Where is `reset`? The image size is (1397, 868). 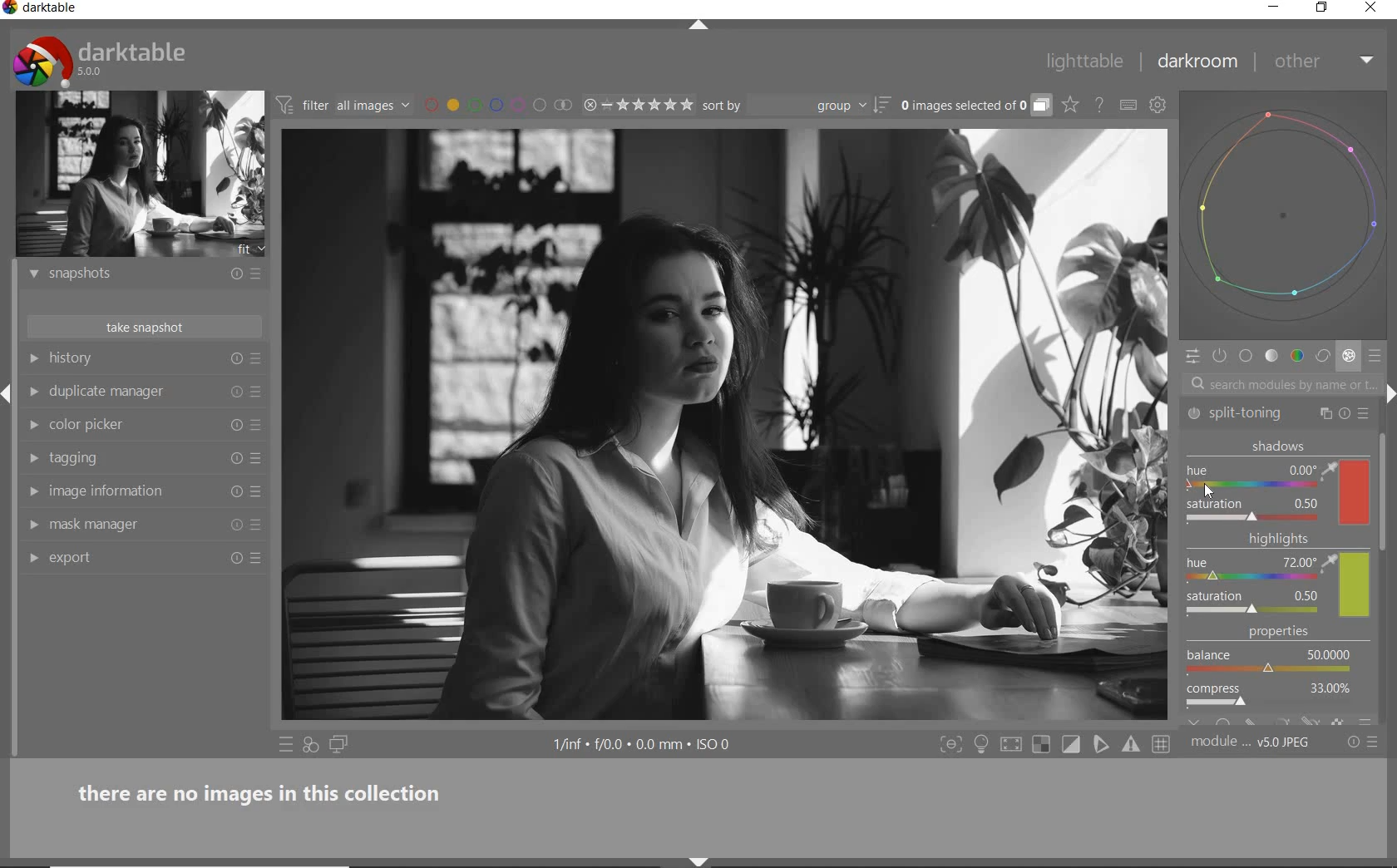
reset is located at coordinates (235, 528).